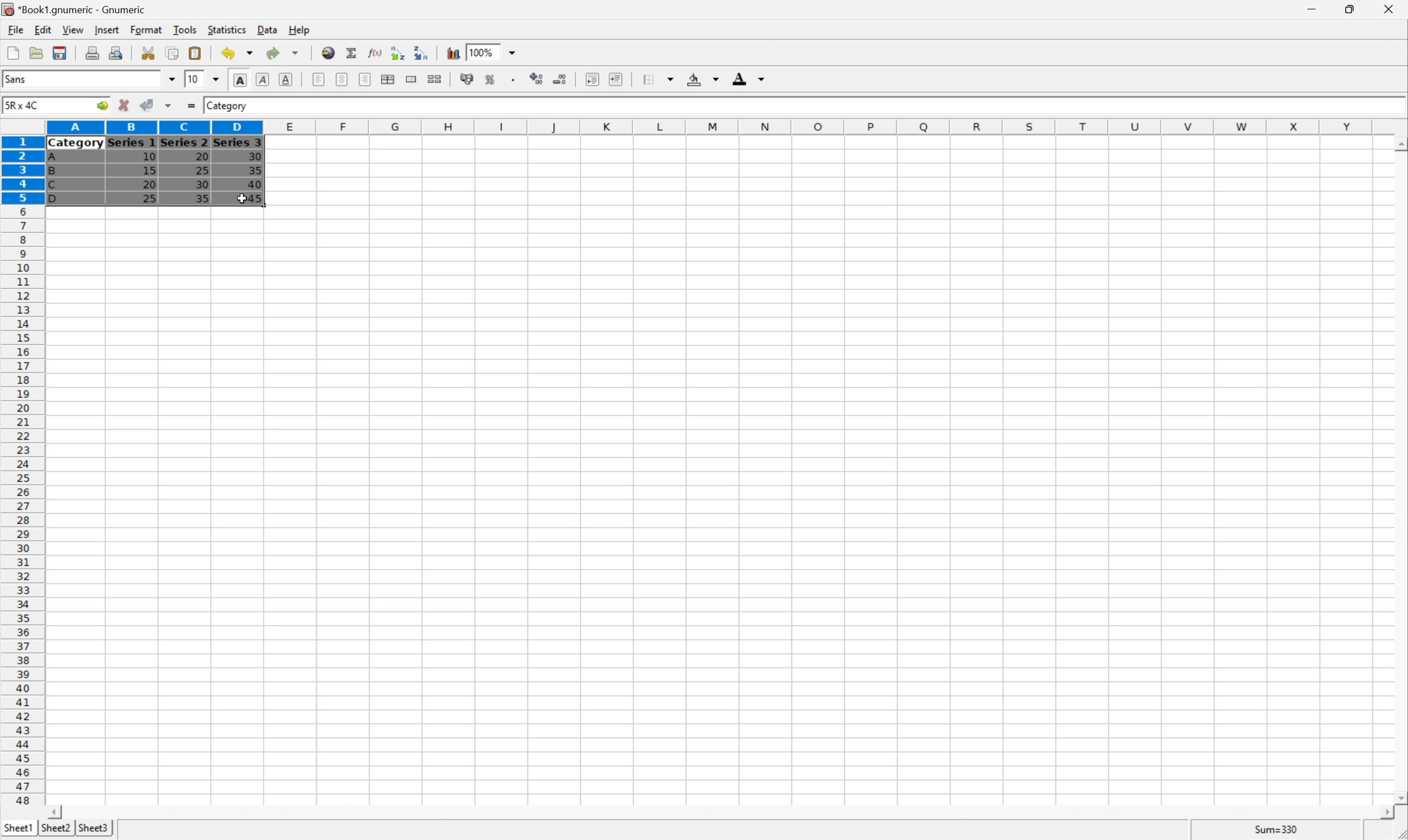 The image size is (1408, 840). Describe the element at coordinates (387, 78) in the screenshot. I see `Center horizontally across selection` at that location.